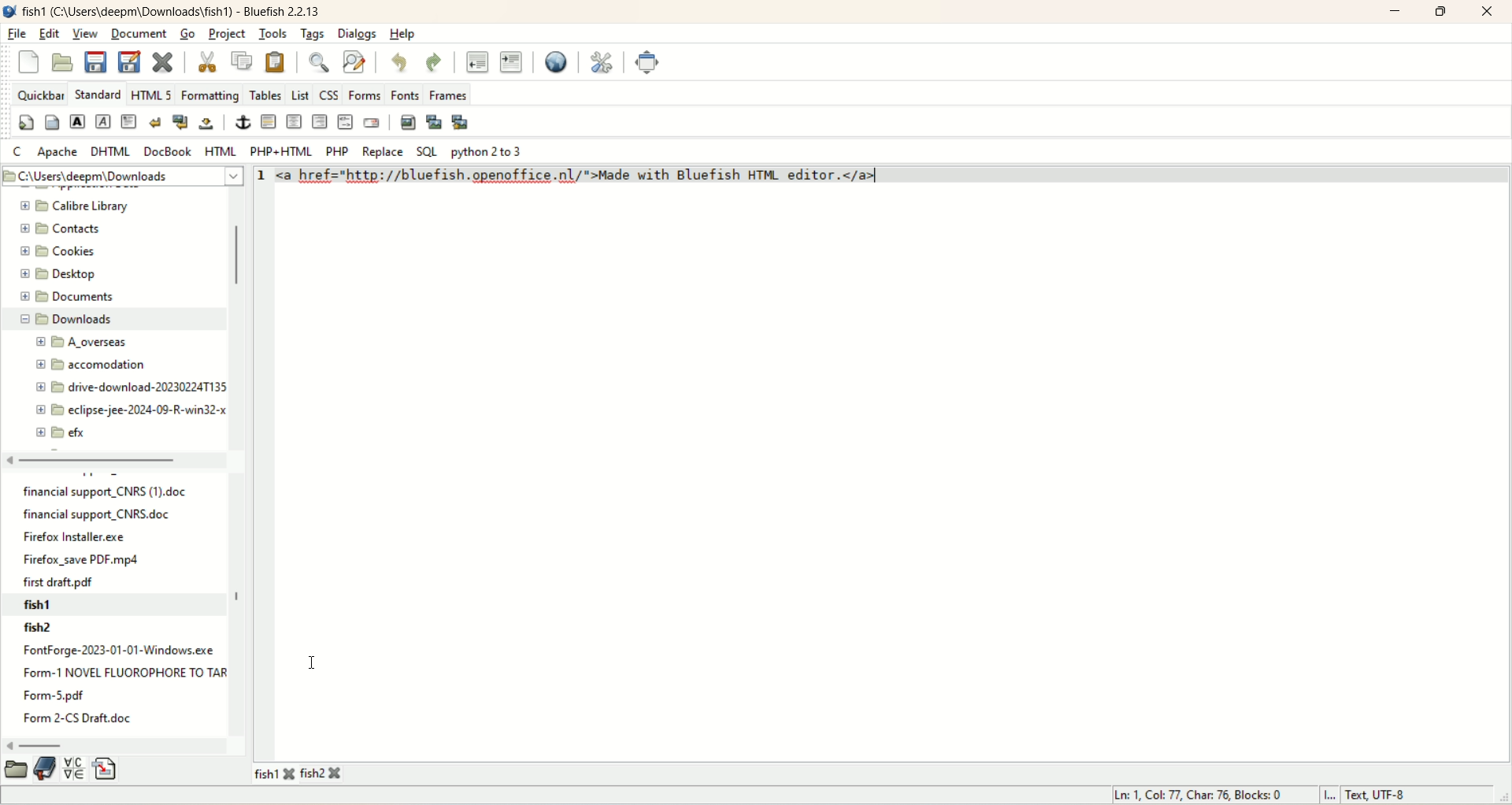 The image size is (1512, 805). Describe the element at coordinates (80, 206) in the screenshot. I see `calibre library` at that location.